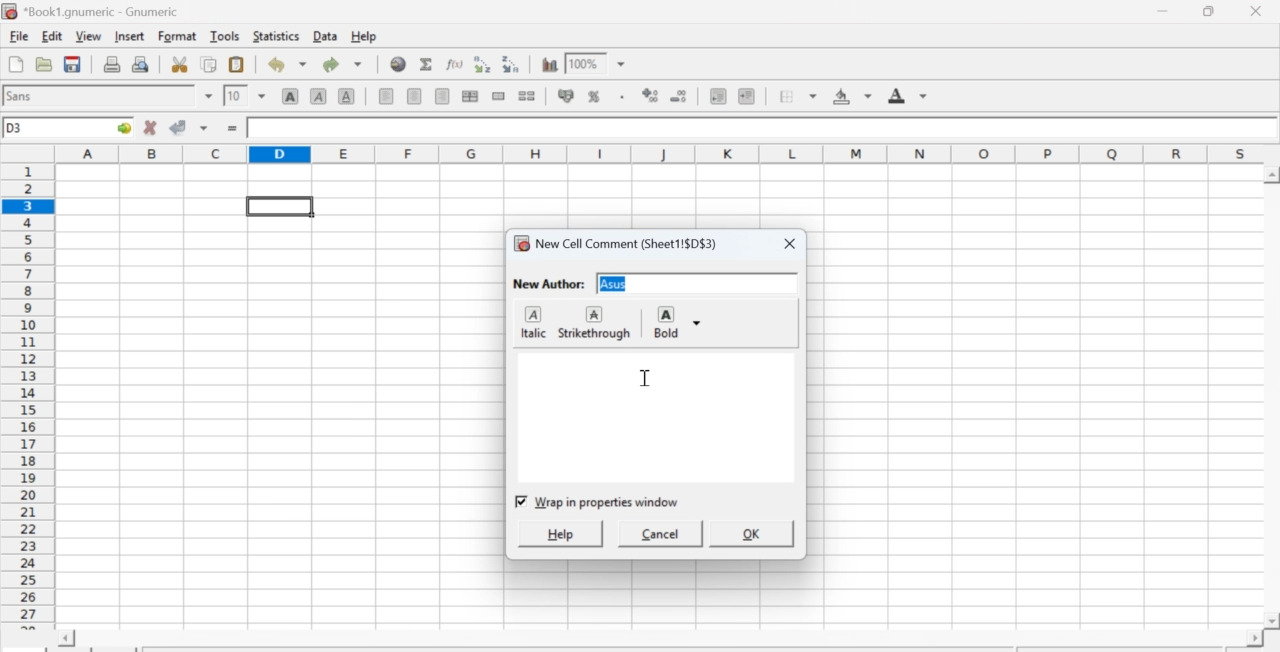  I want to click on Create new workbook, so click(13, 65).